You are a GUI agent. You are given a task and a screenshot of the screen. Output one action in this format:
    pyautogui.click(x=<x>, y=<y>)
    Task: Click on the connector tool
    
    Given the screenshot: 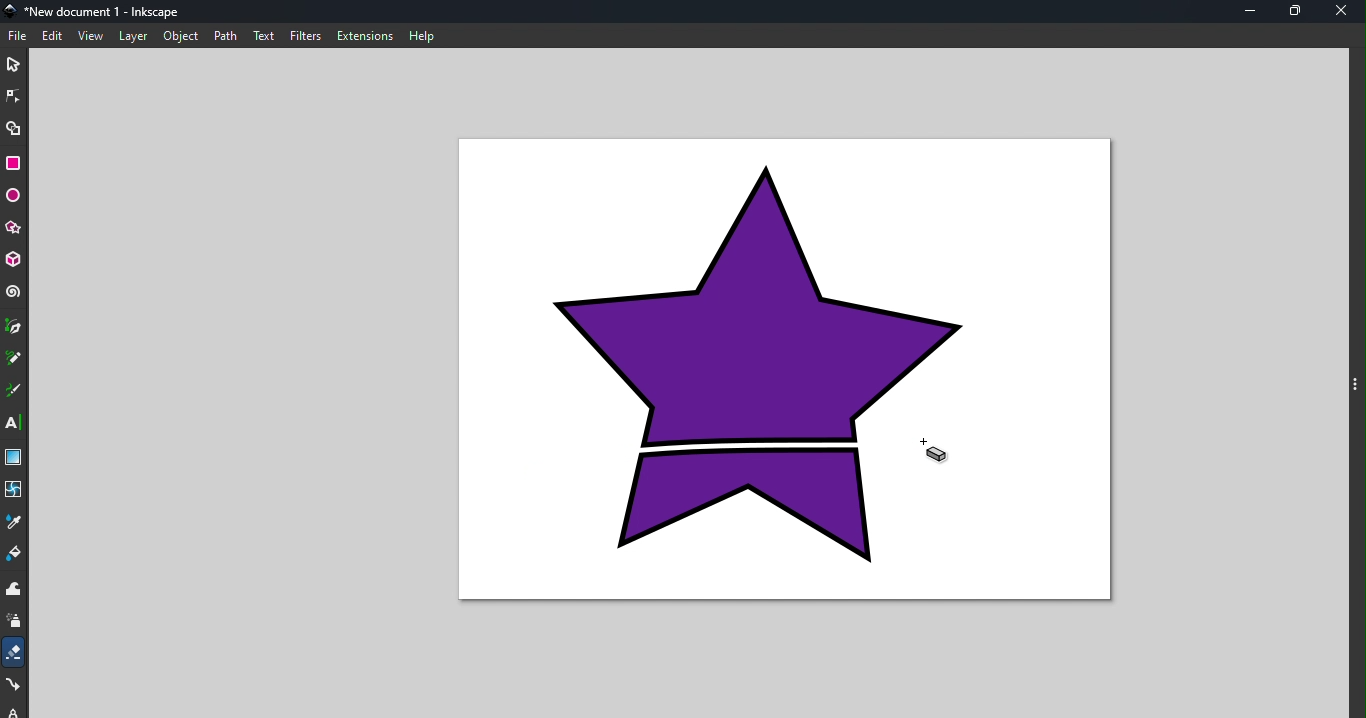 What is the action you would take?
    pyautogui.click(x=15, y=686)
    